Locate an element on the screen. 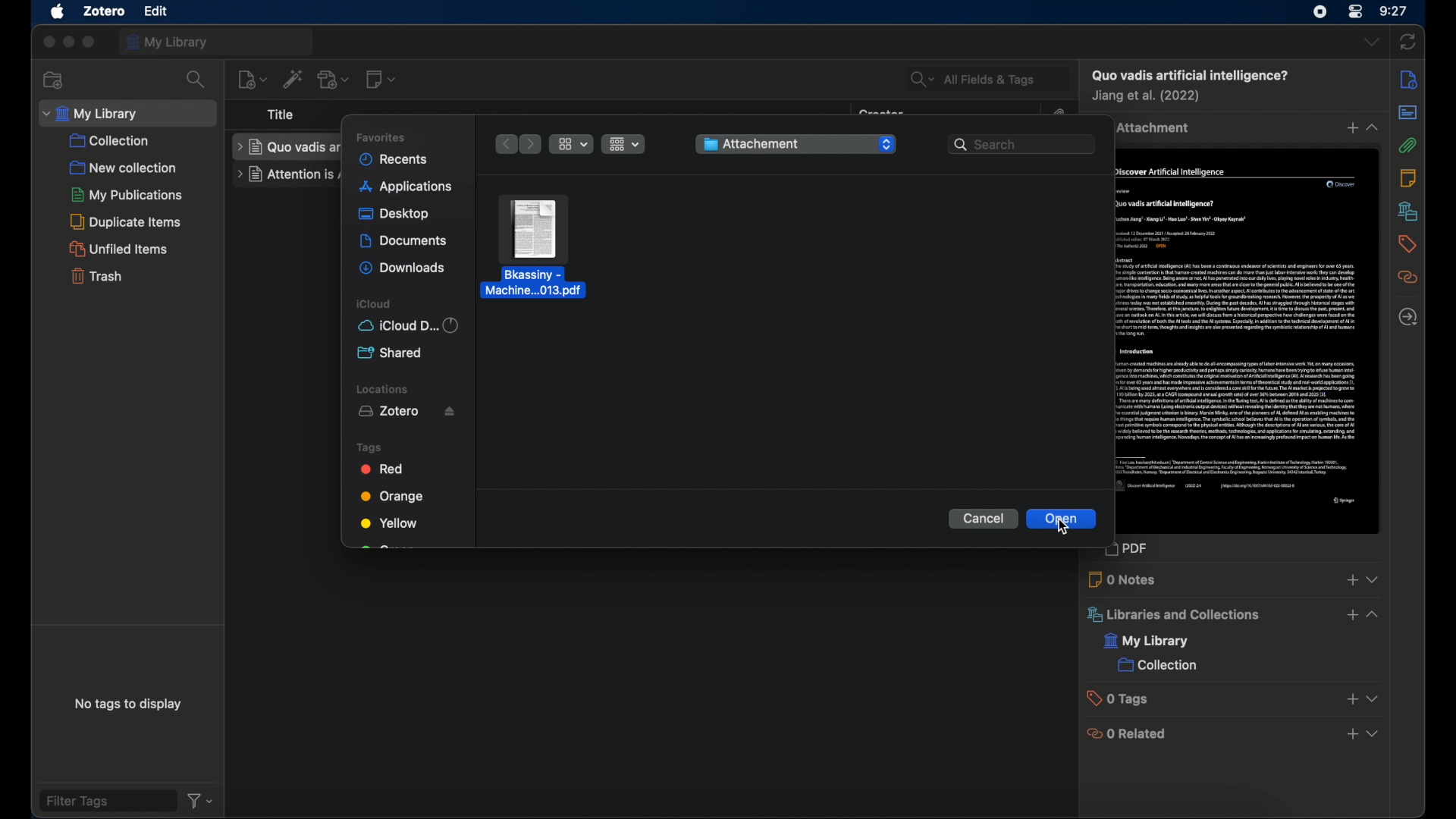  folder name is located at coordinates (777, 143).